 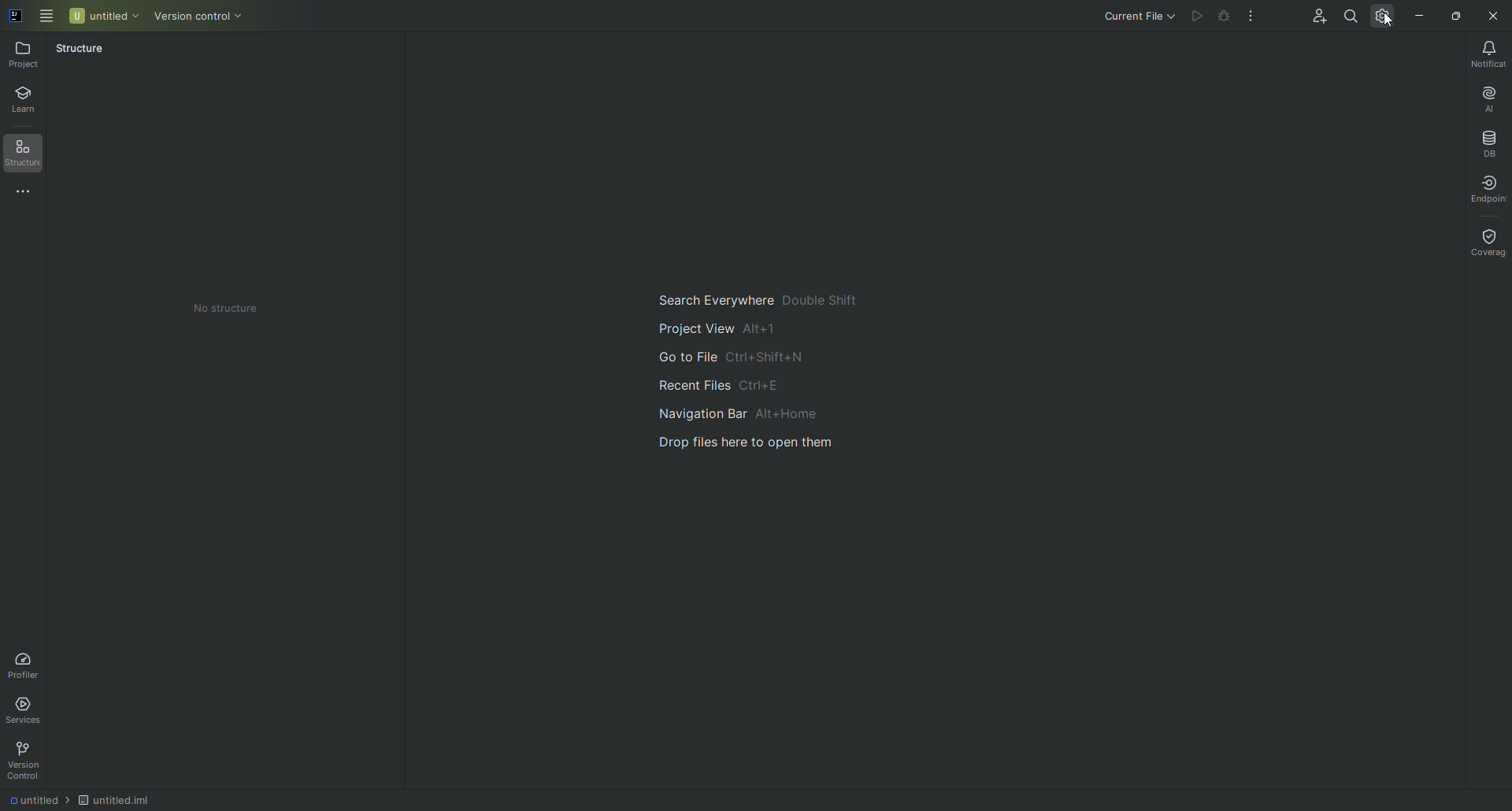 I want to click on Cannot run file, so click(x=1226, y=13).